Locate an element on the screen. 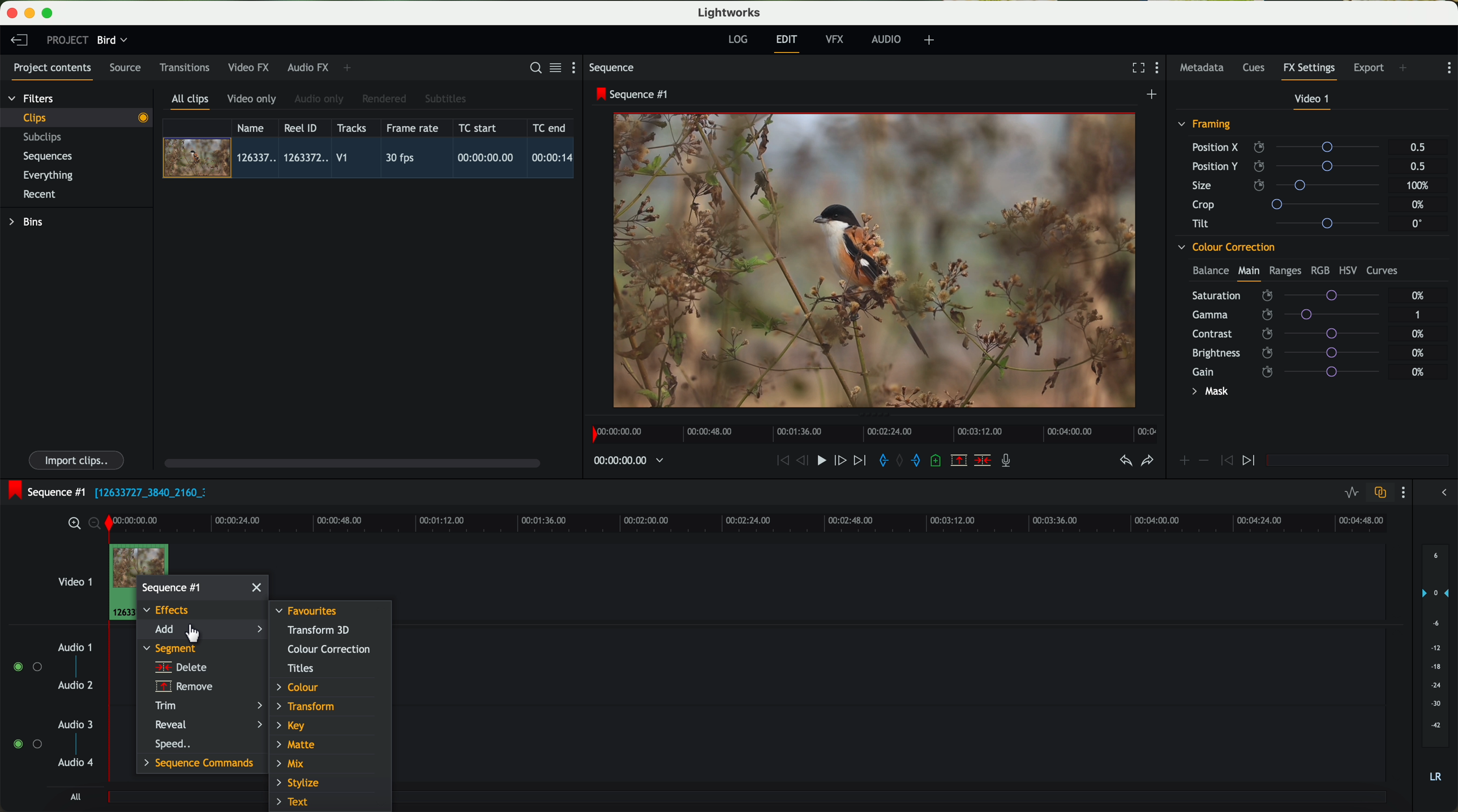  1 is located at coordinates (1418, 316).